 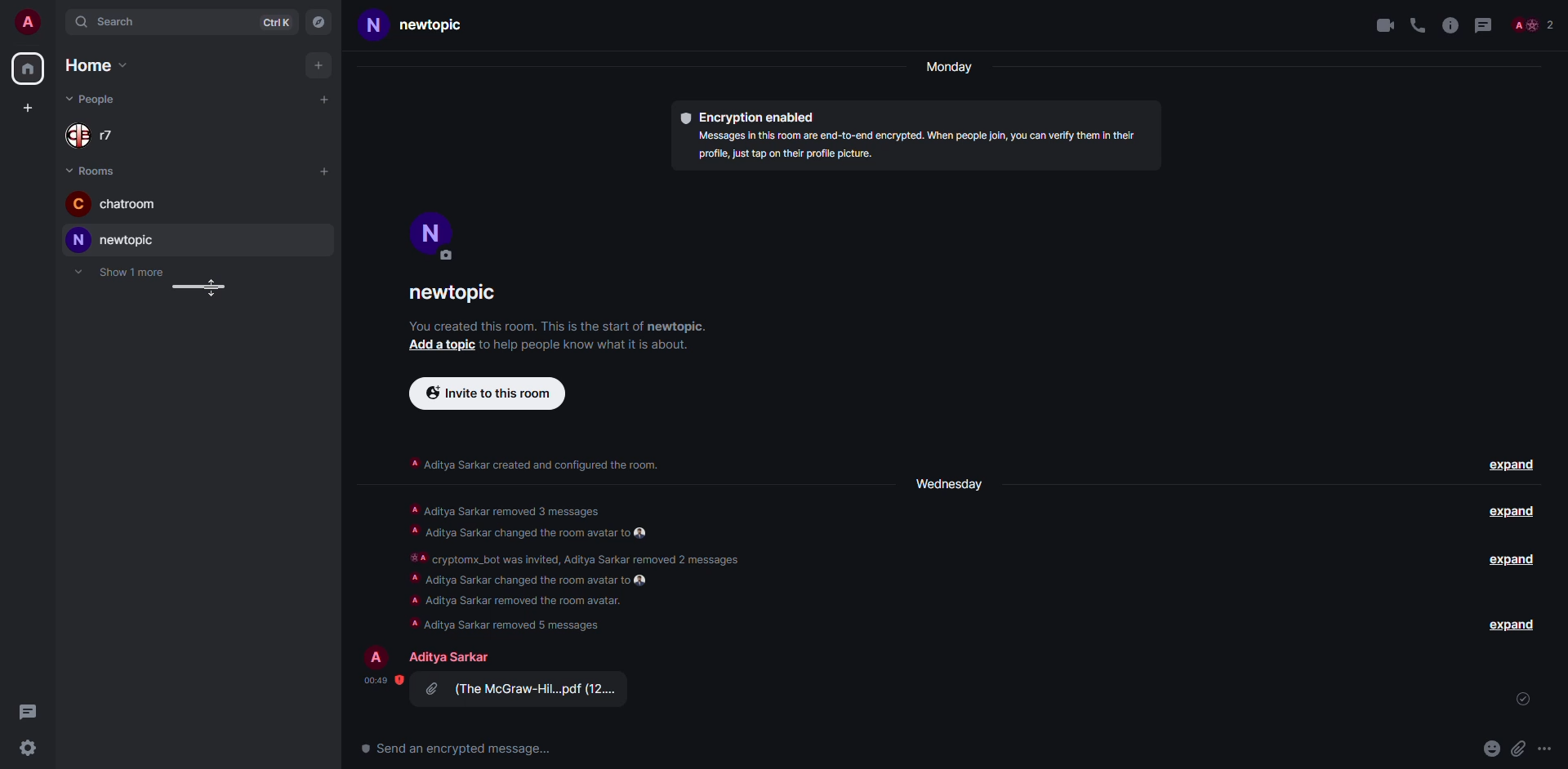 What do you see at coordinates (378, 656) in the screenshot?
I see `profile` at bounding box center [378, 656].